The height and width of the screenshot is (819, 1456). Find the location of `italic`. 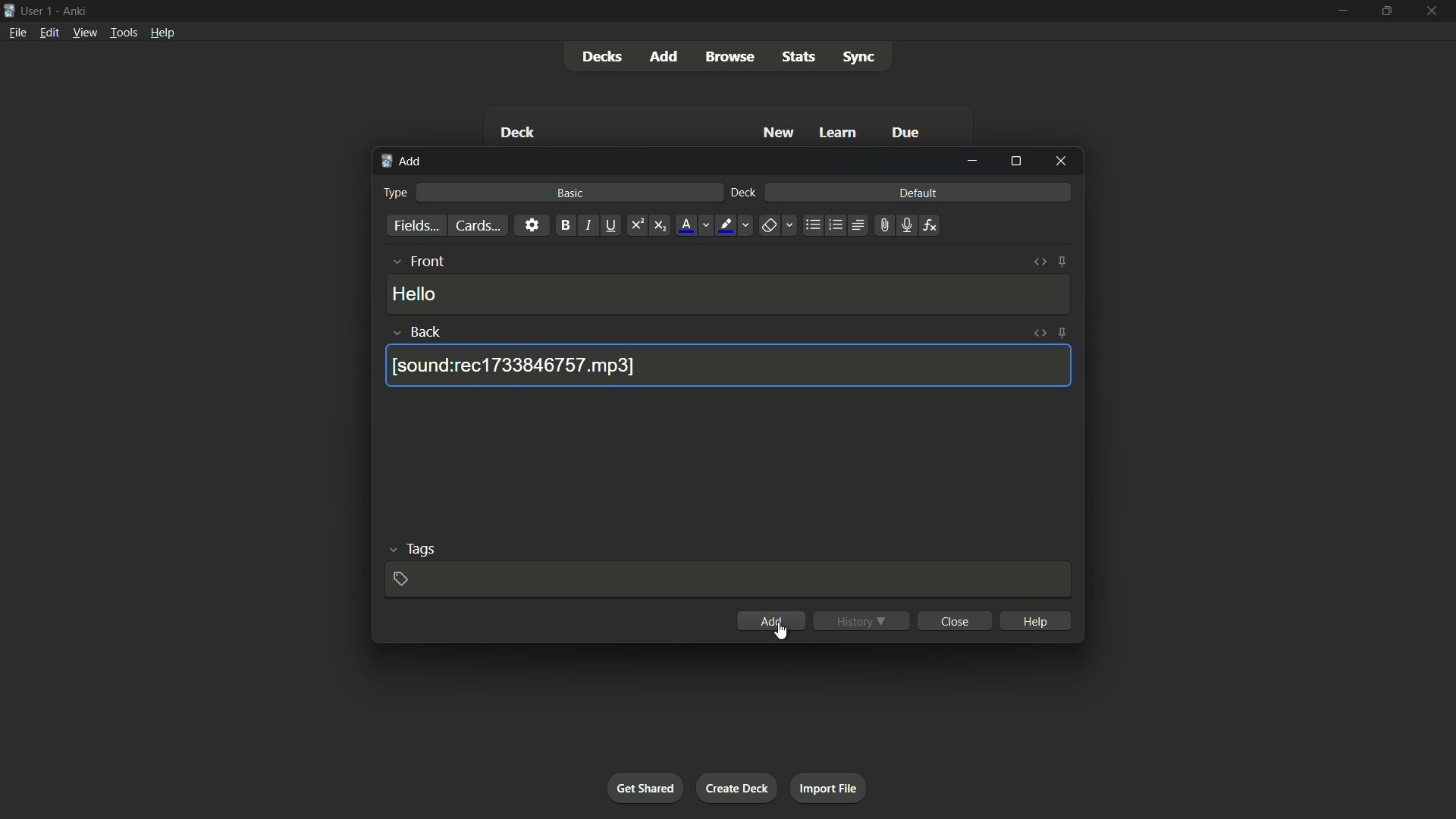

italic is located at coordinates (588, 225).